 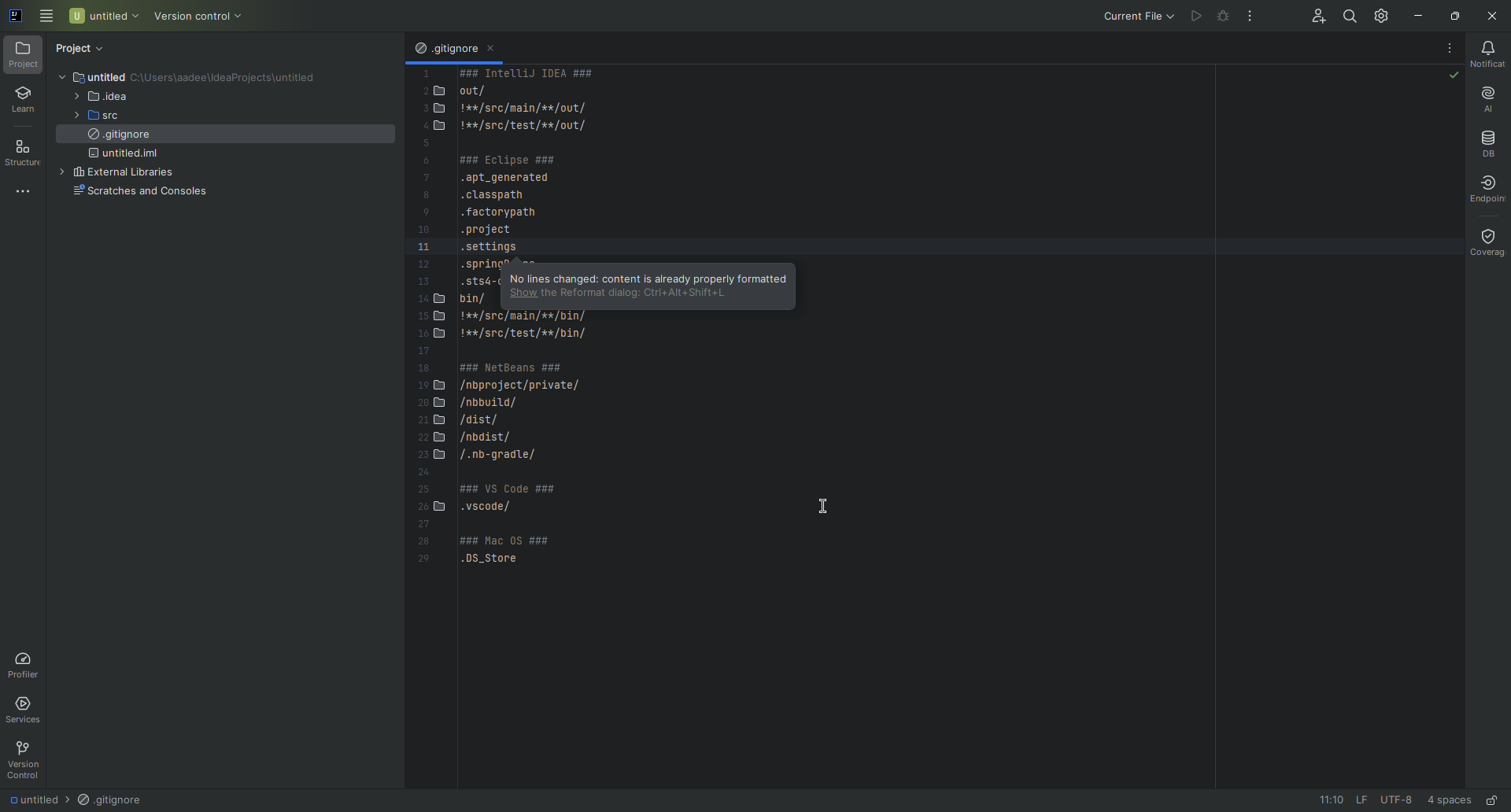 What do you see at coordinates (445, 50) in the screenshot?
I see `.gitgmore` at bounding box center [445, 50].